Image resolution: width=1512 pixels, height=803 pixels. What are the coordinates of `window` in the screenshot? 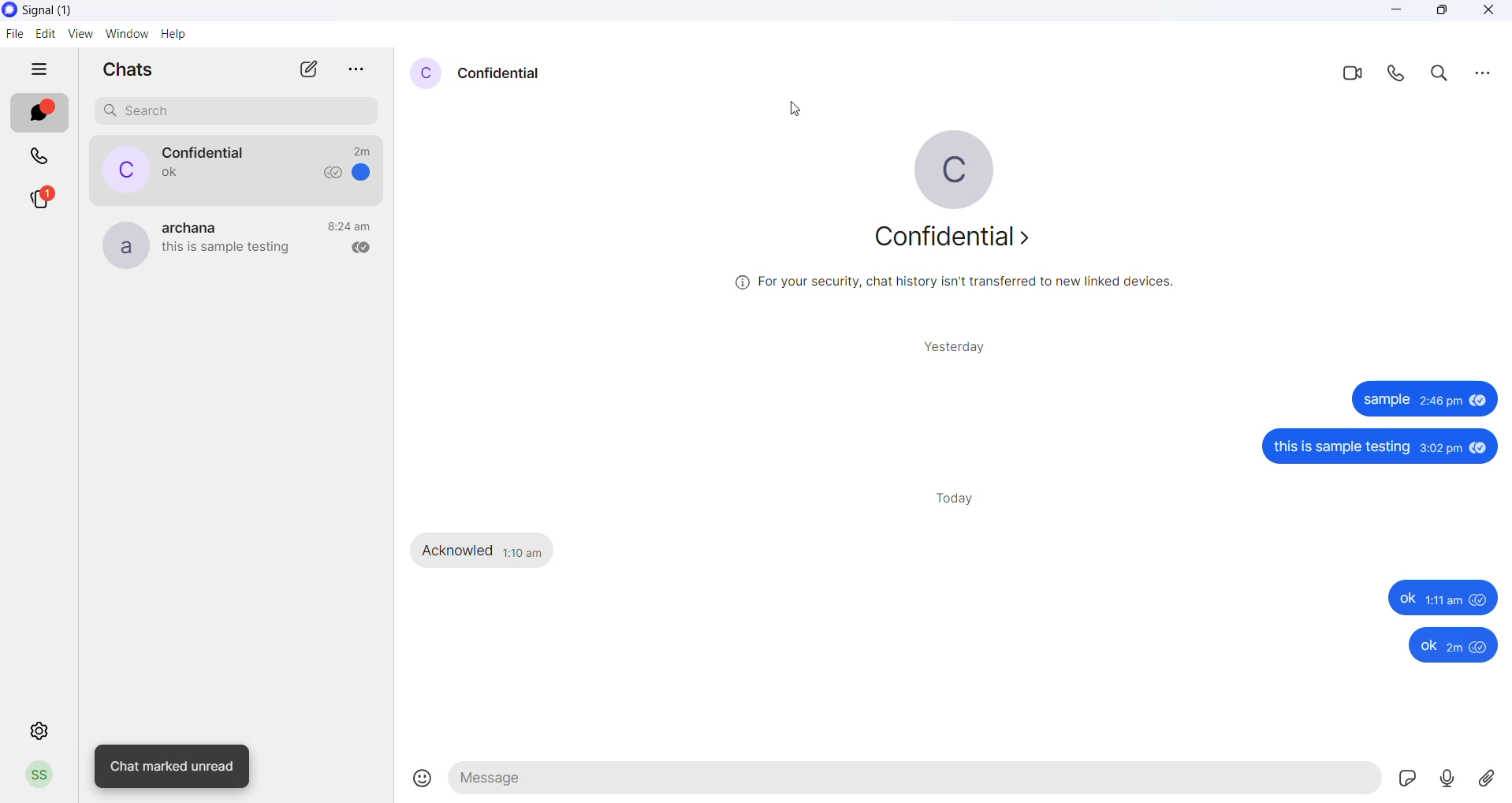 It's located at (126, 33).